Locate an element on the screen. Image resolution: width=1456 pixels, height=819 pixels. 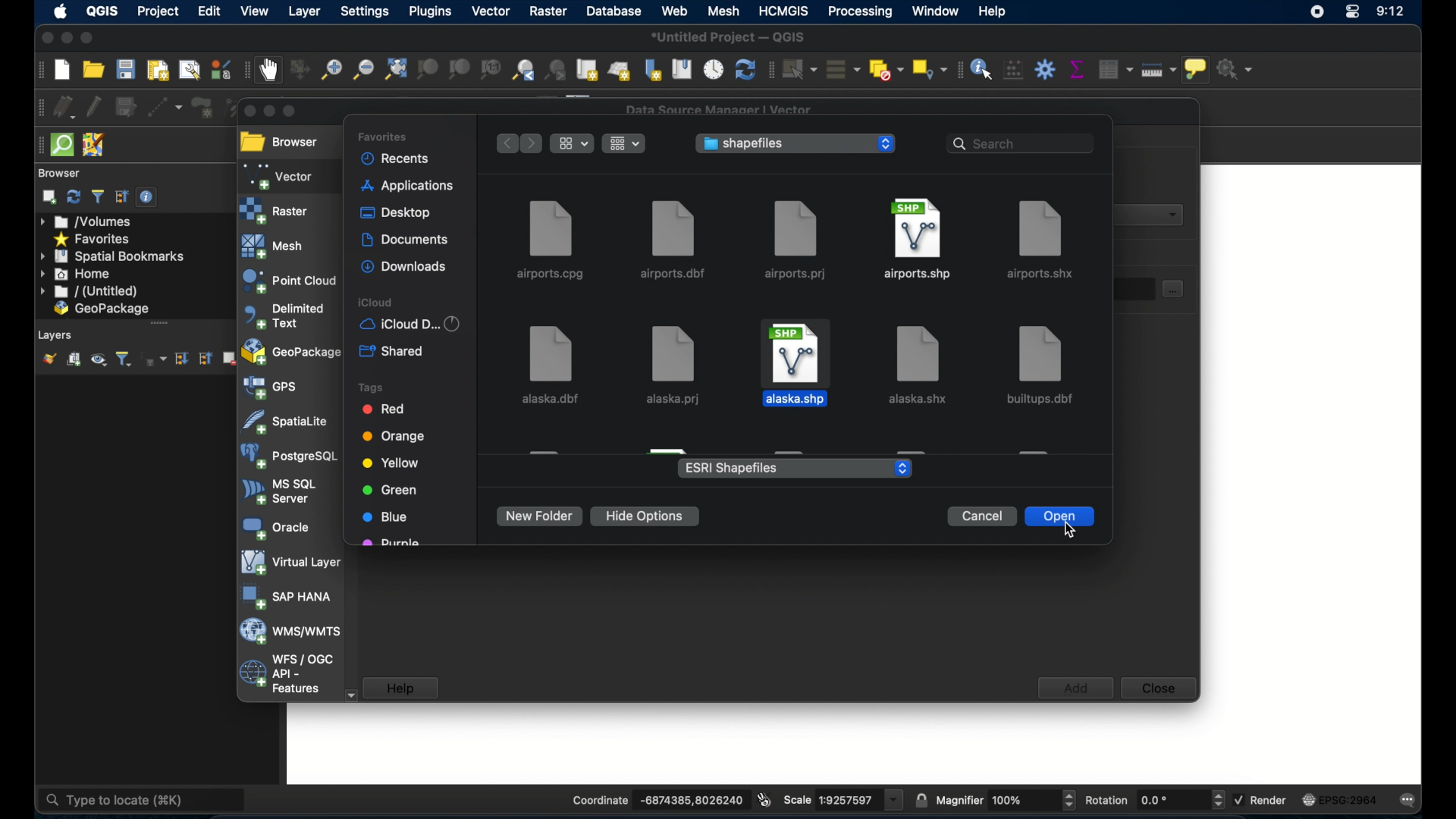
close is located at coordinates (1159, 690).